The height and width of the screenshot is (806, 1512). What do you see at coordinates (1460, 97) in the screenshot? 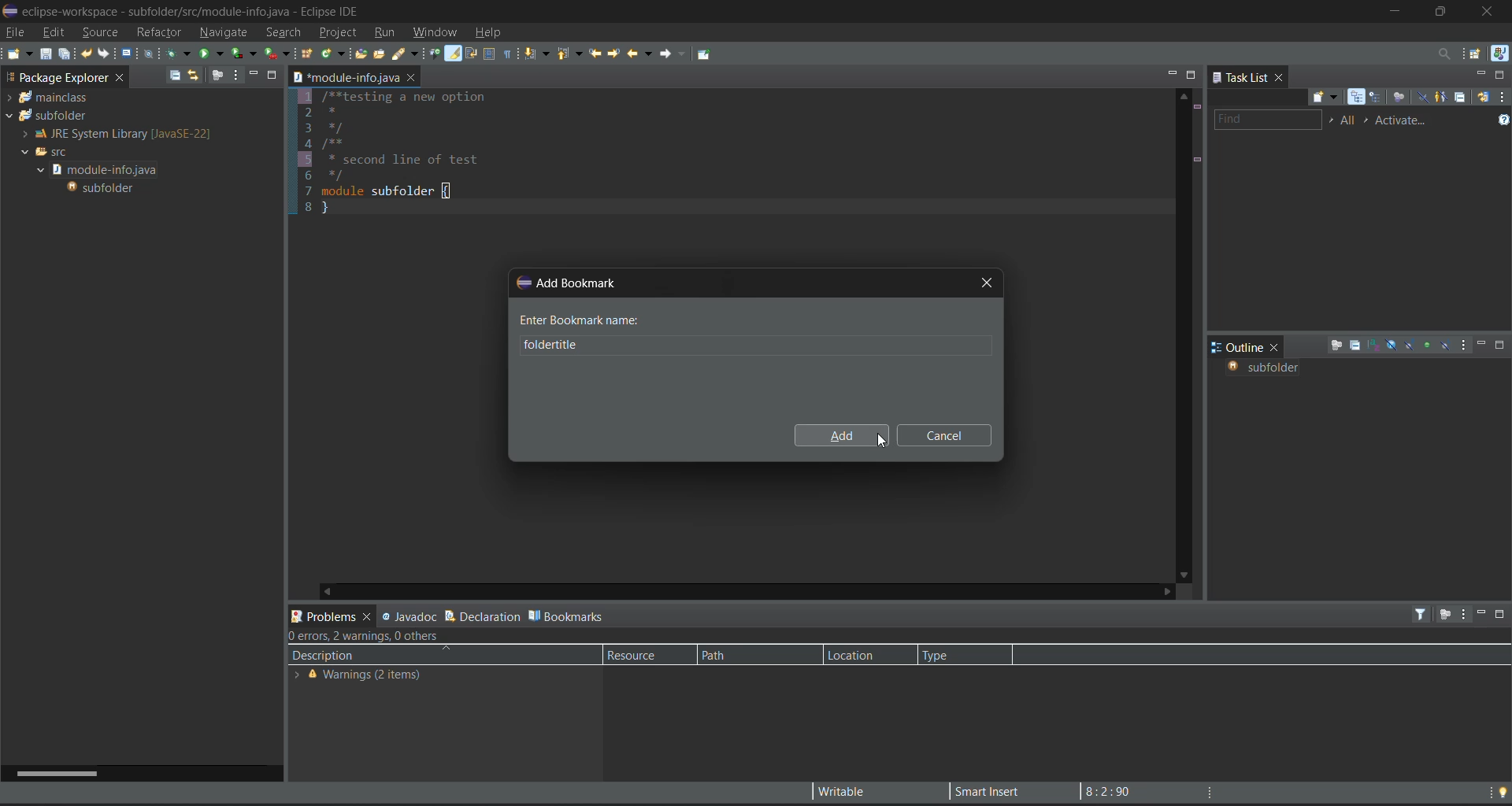
I see `collapse all` at bounding box center [1460, 97].